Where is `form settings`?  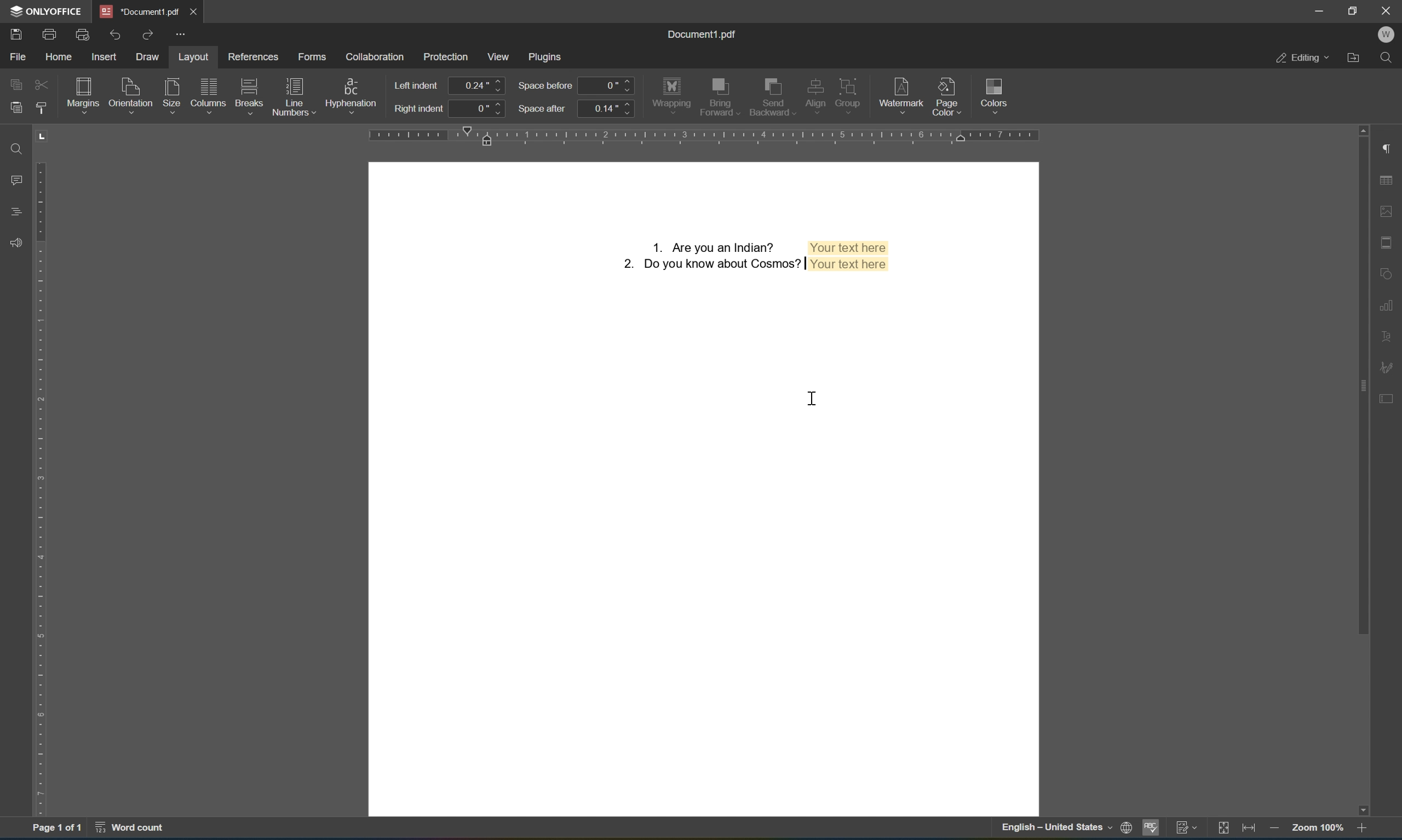
form settings is located at coordinates (1389, 397).